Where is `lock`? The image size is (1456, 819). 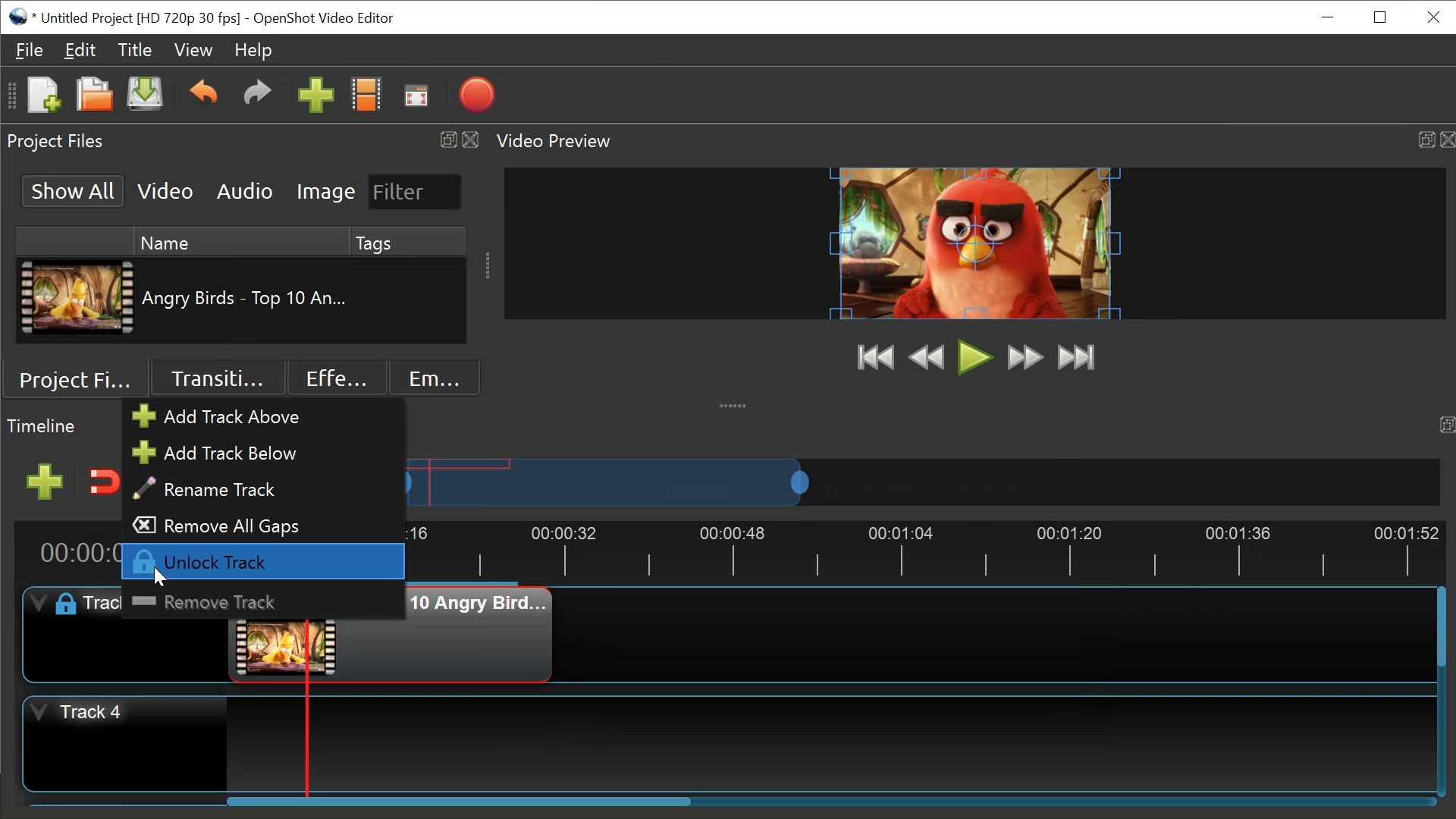 lock is located at coordinates (62, 604).